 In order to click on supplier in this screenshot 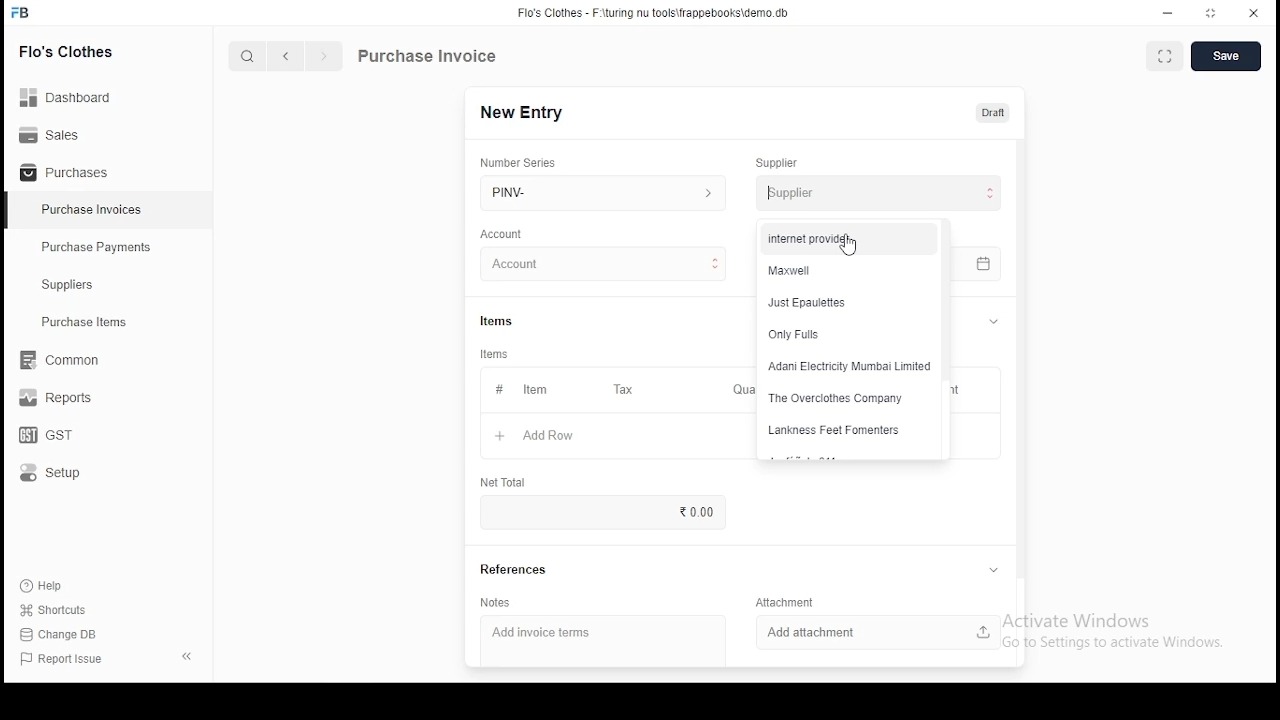, I will do `click(873, 192)`.